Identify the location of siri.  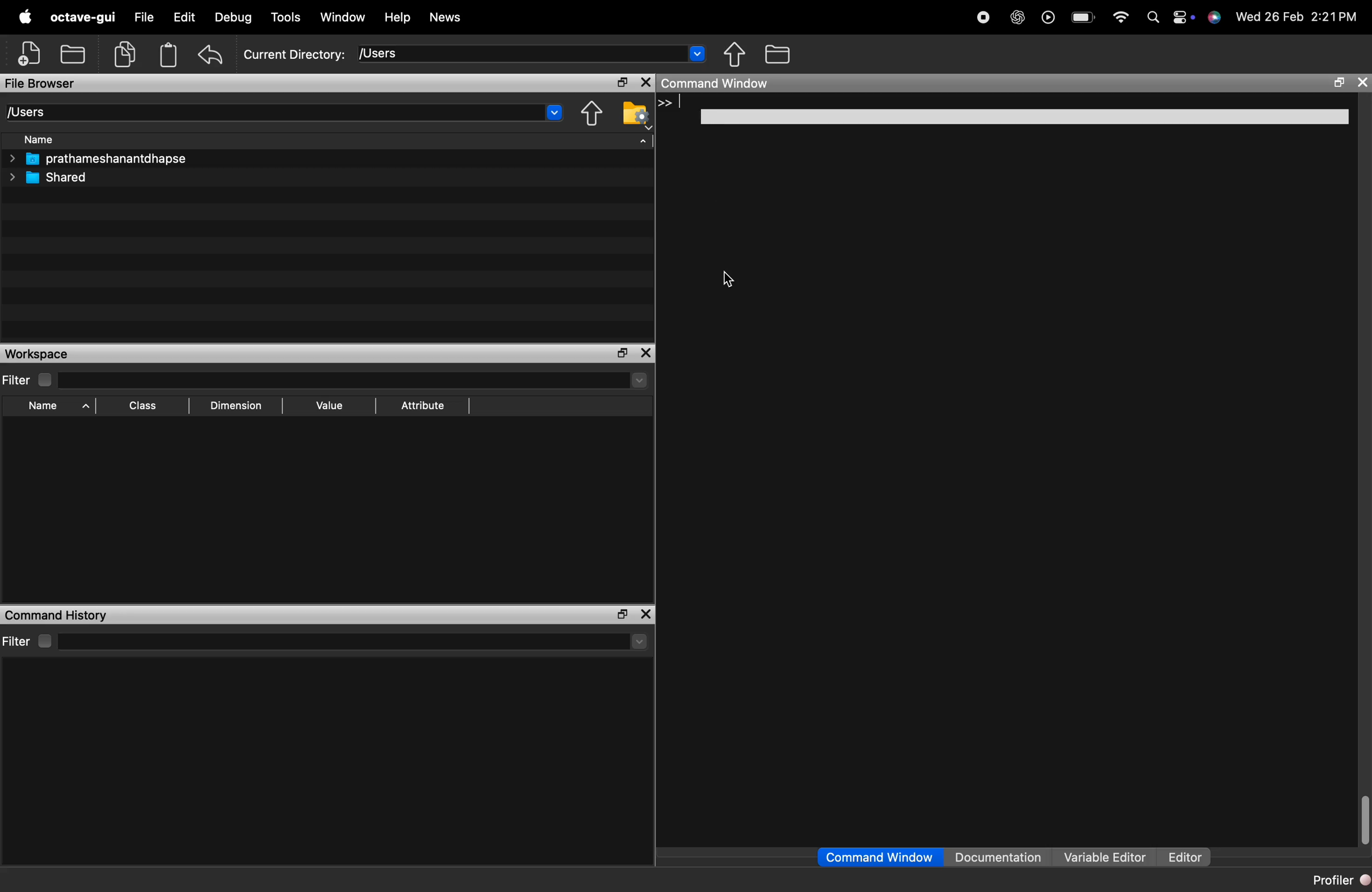
(1216, 14).